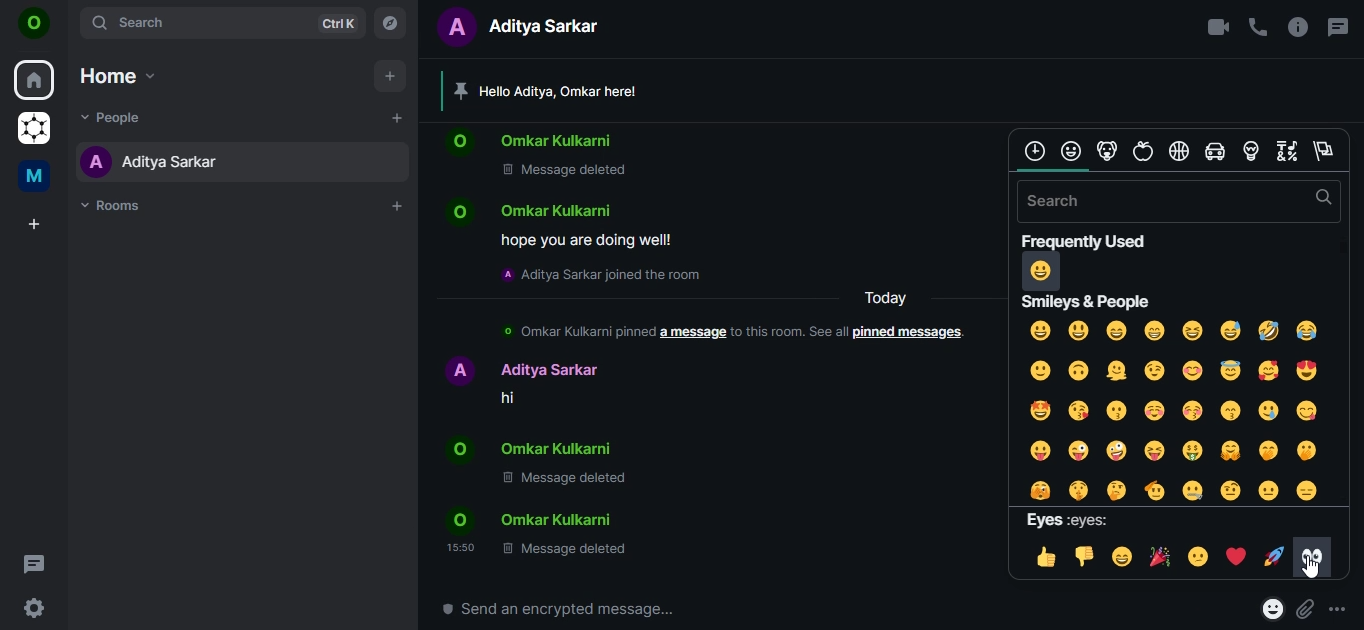  I want to click on home, so click(34, 80).